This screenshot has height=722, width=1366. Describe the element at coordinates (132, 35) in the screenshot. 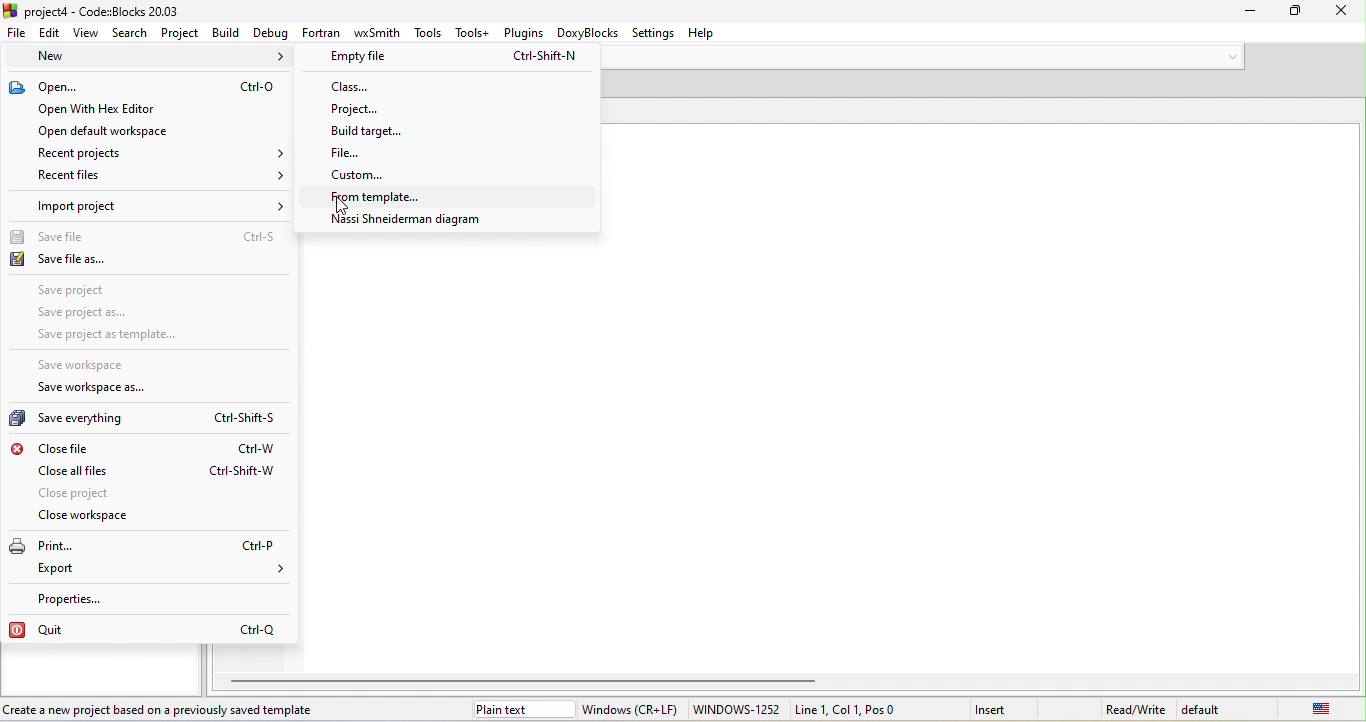

I see `search` at that location.